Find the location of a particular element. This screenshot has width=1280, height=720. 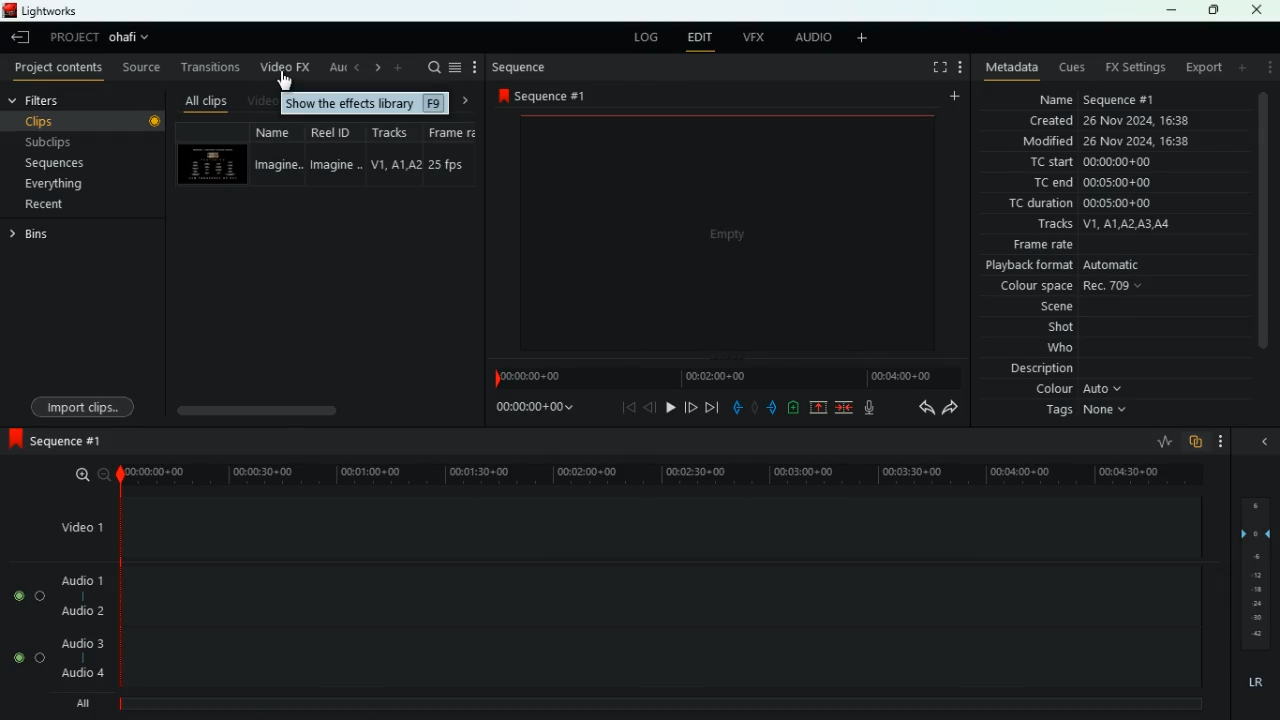

tc start is located at coordinates (1109, 163).